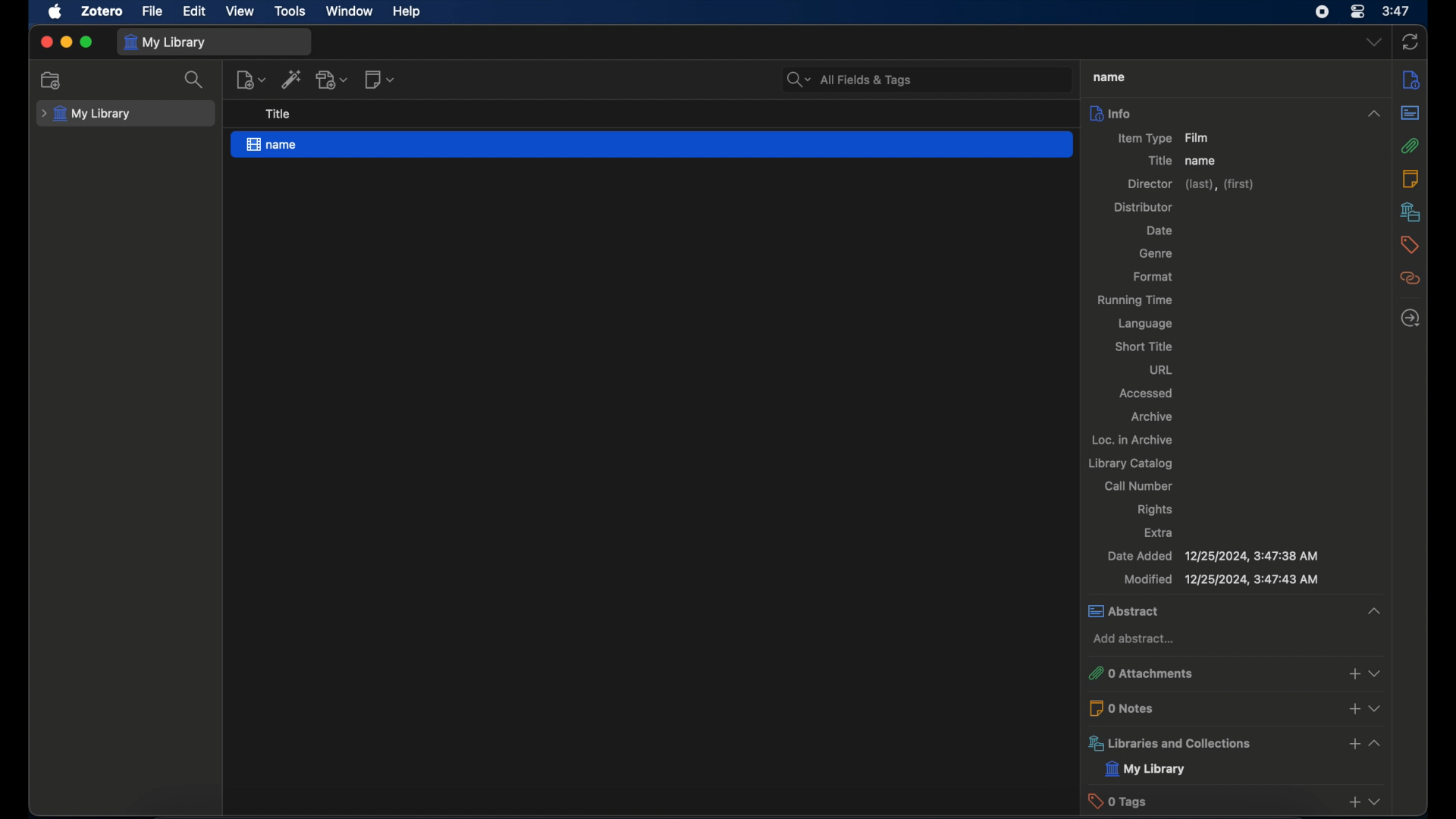 Image resolution: width=1456 pixels, height=819 pixels. Describe the element at coordinates (1106, 77) in the screenshot. I see `title` at that location.